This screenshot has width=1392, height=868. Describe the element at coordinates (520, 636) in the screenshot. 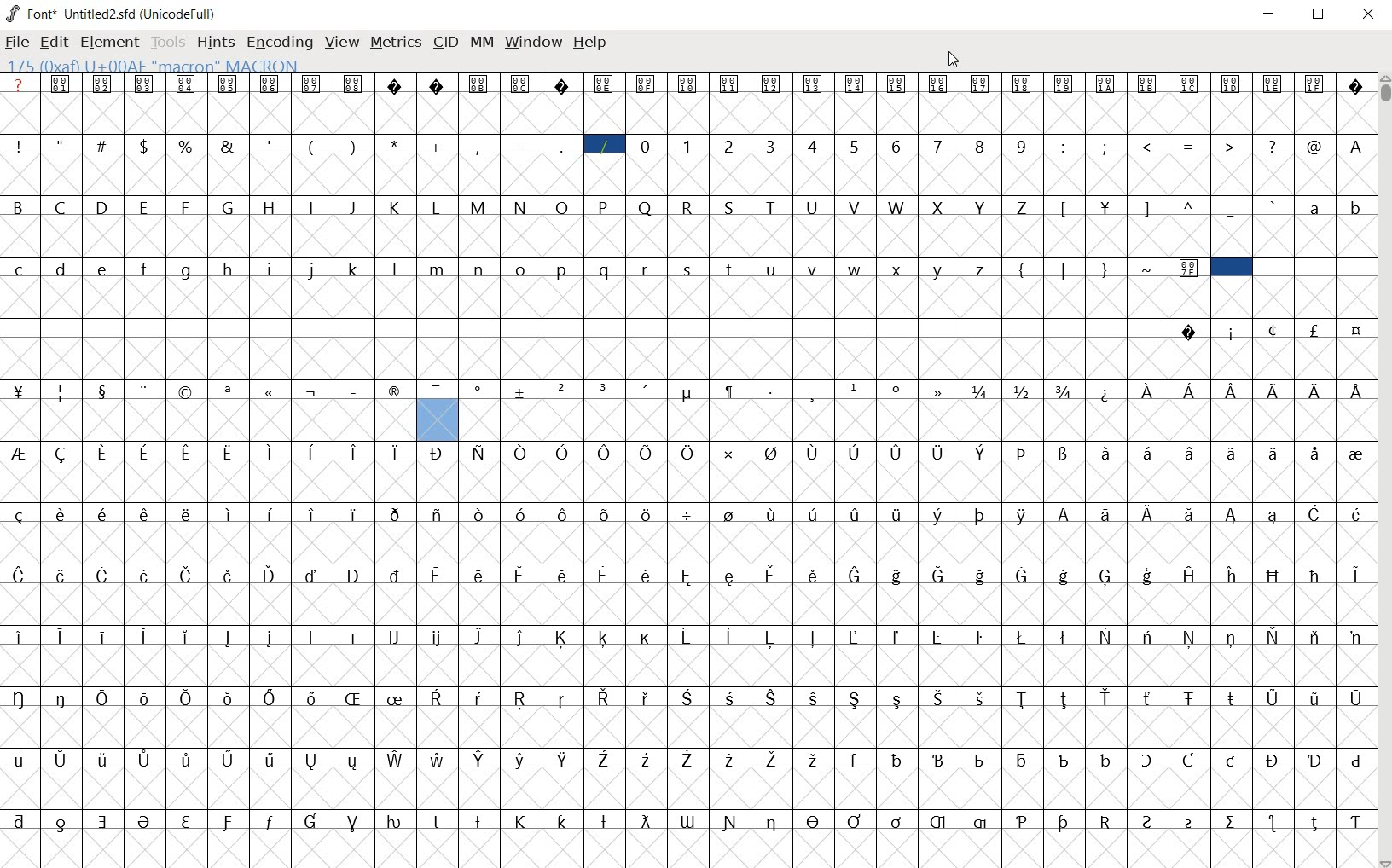

I see `Symbol` at that location.